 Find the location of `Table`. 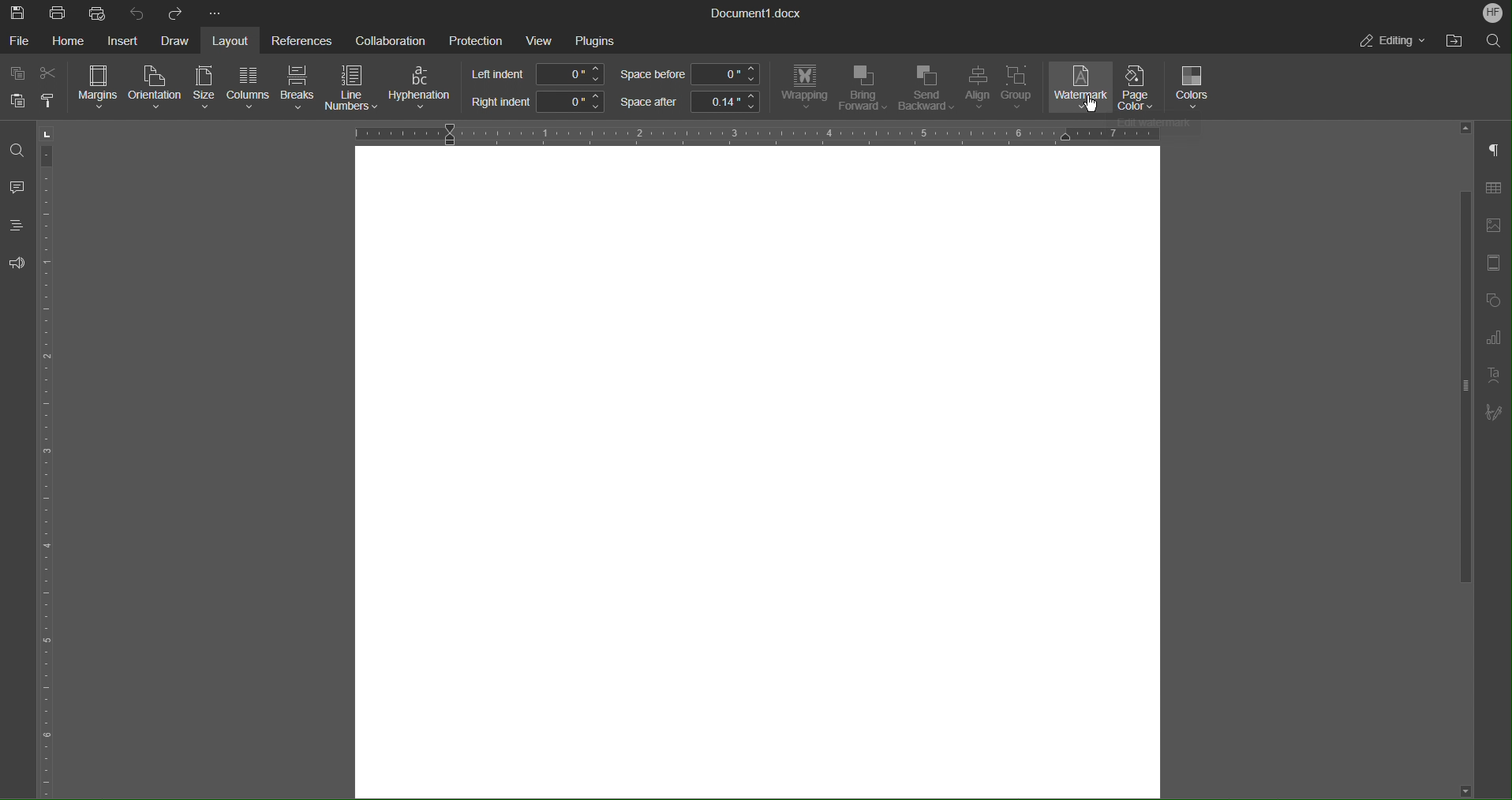

Table is located at coordinates (1493, 191).